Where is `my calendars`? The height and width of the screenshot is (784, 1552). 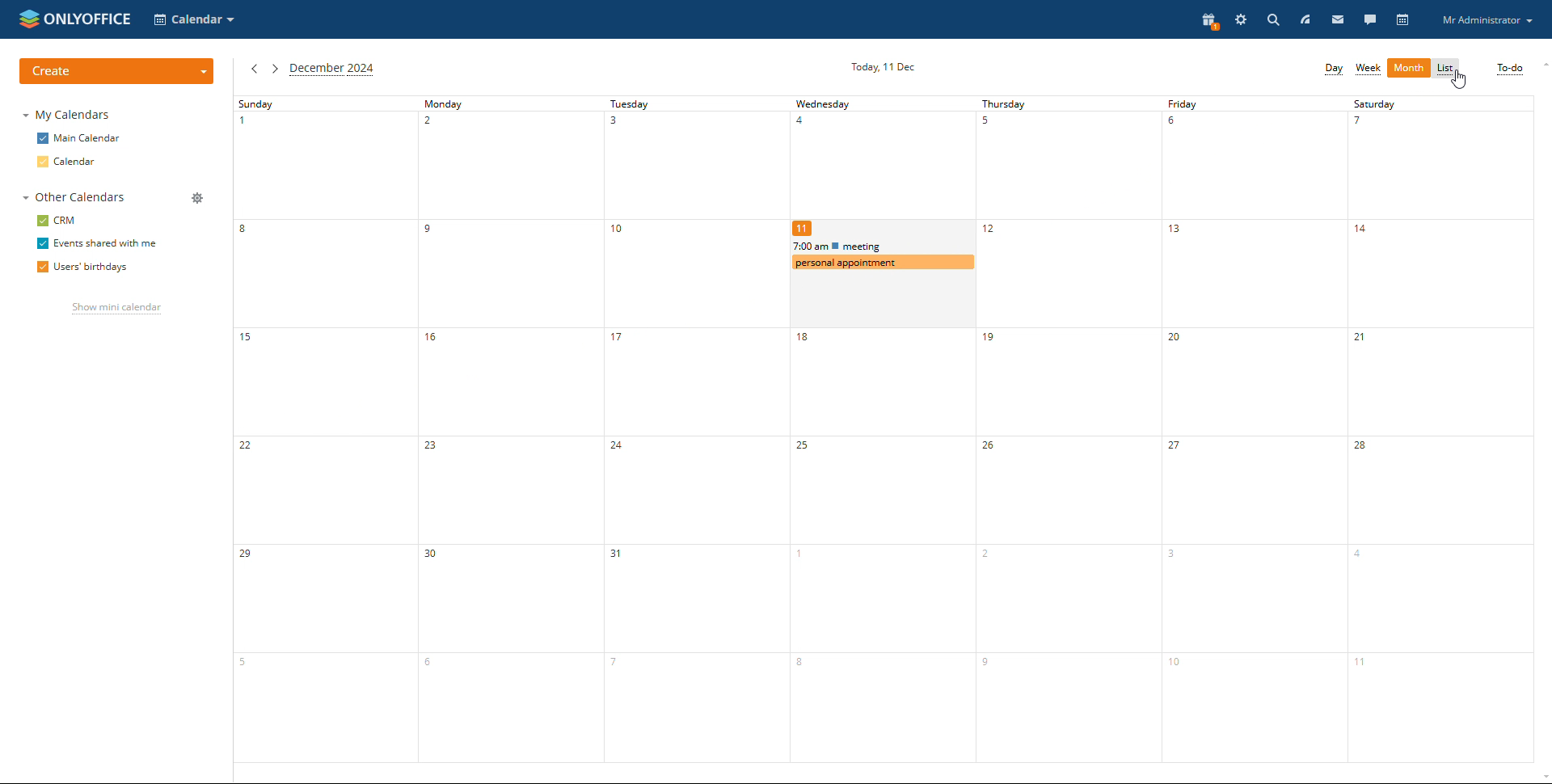
my calendars is located at coordinates (67, 116).